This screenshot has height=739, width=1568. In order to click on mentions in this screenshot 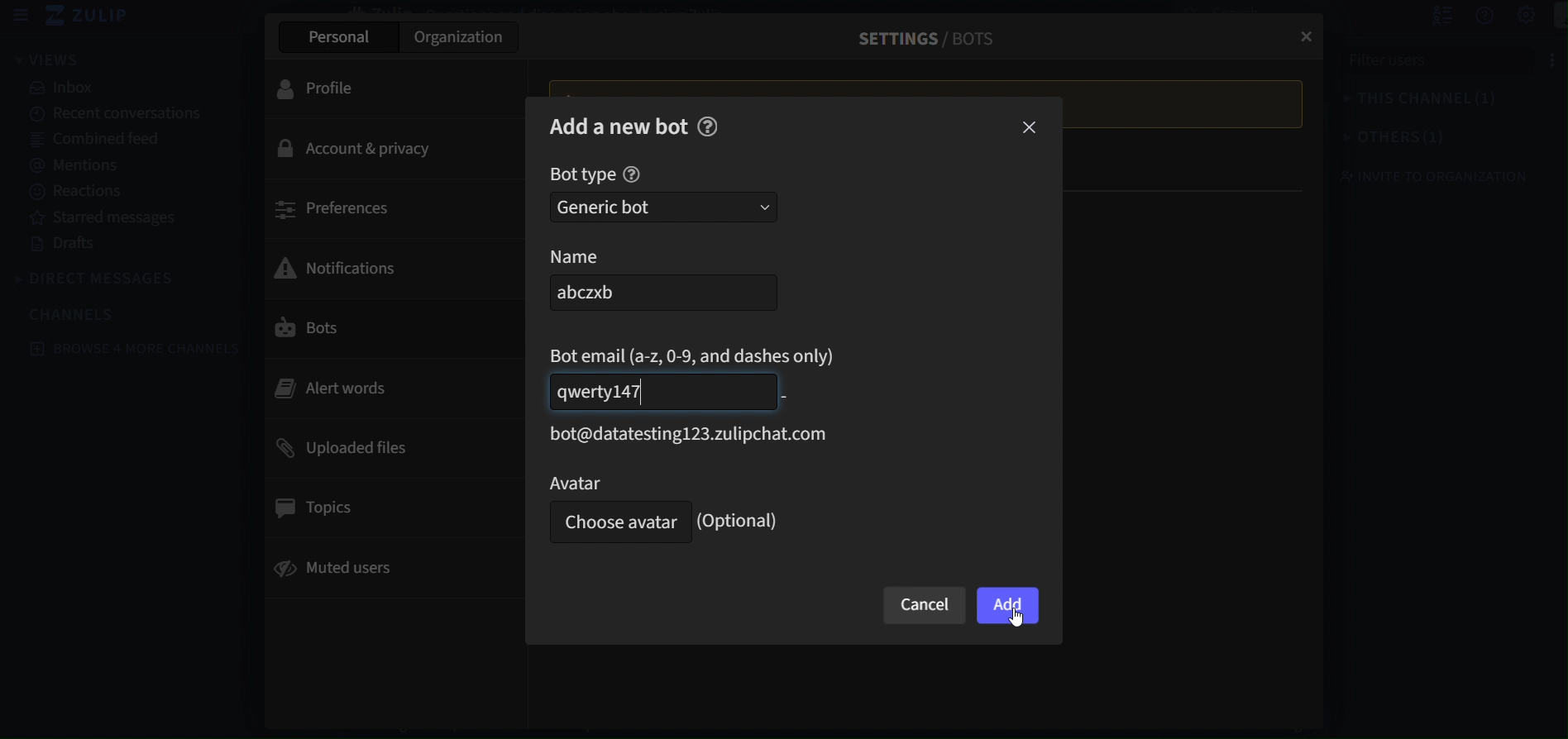, I will do `click(121, 163)`.